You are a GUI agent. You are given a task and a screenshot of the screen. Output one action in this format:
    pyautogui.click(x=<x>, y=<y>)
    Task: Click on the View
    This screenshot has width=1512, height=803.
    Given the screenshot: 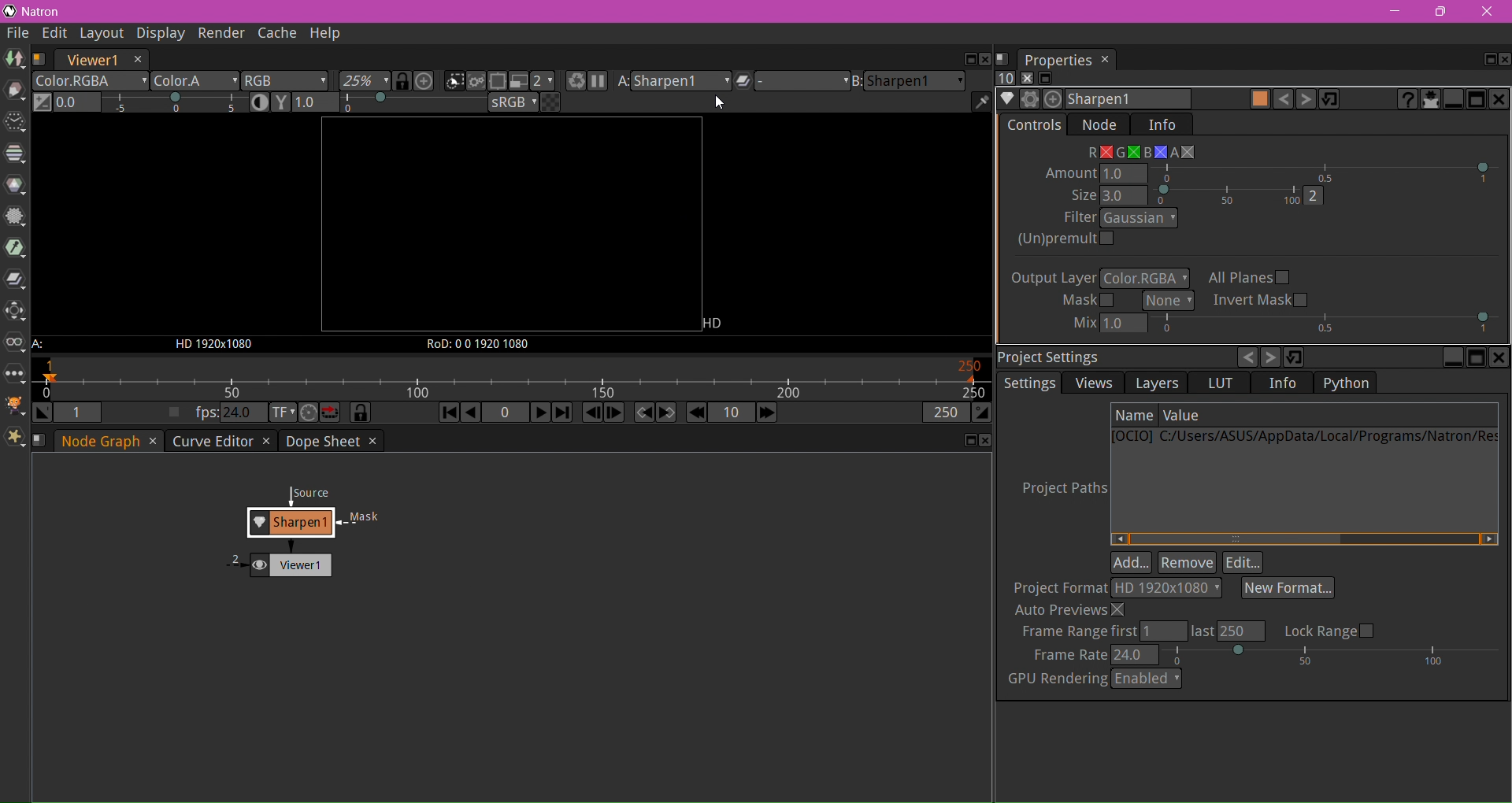 What is the action you would take?
    pyautogui.click(x=16, y=346)
    